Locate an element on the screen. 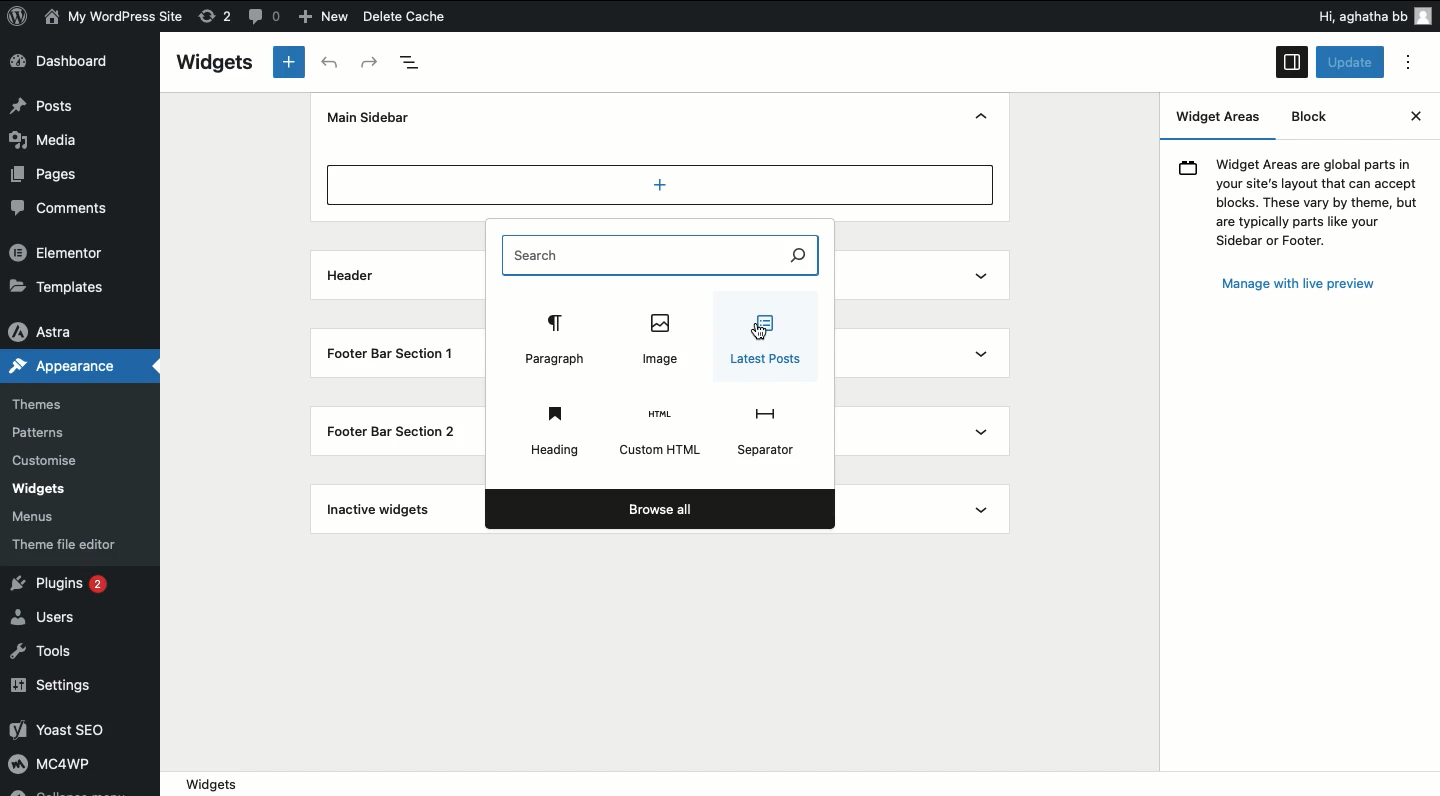 The image size is (1440, 796). Posts is located at coordinates (45, 106).